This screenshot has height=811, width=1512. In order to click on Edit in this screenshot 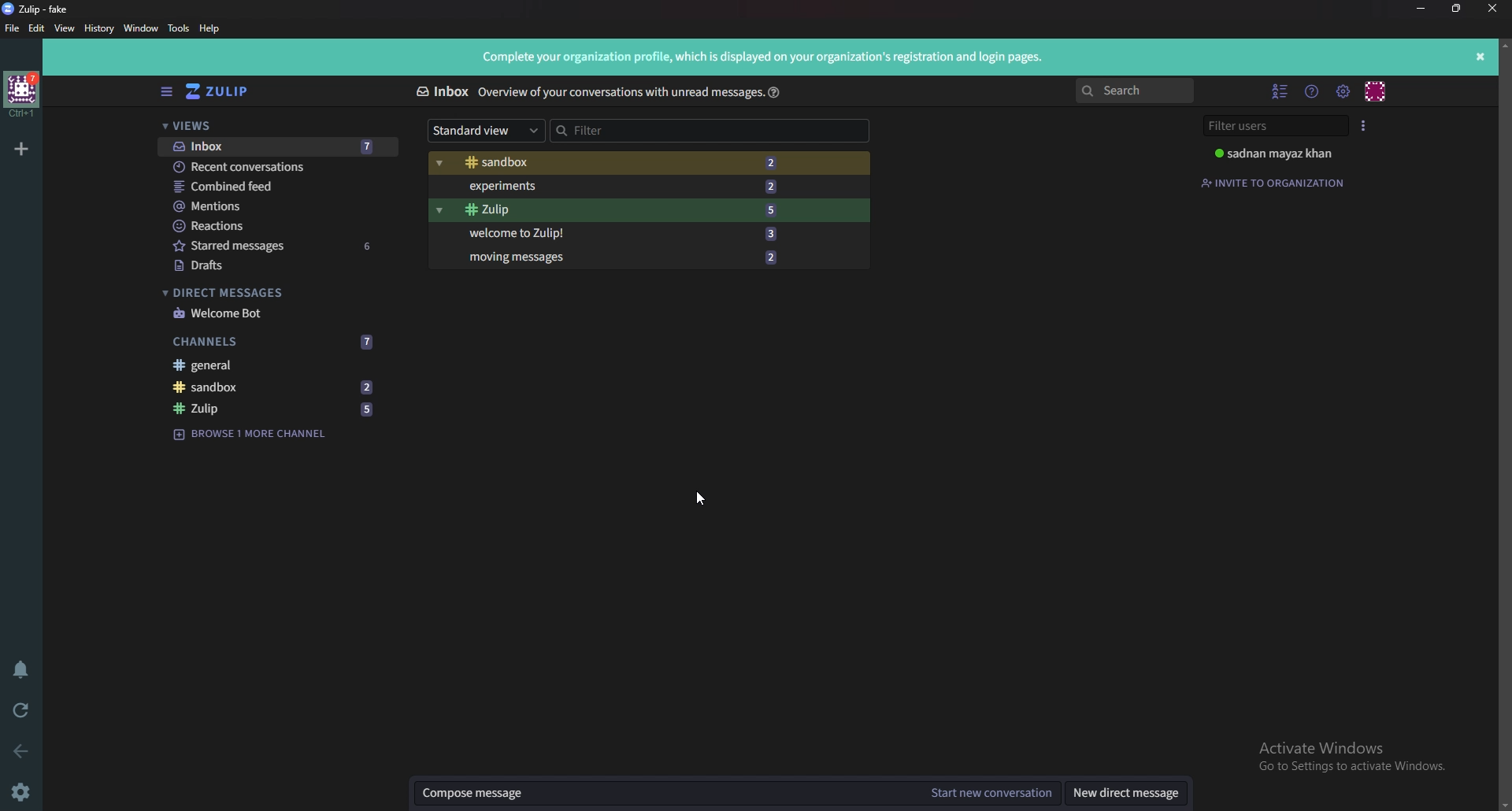, I will do `click(36, 28)`.